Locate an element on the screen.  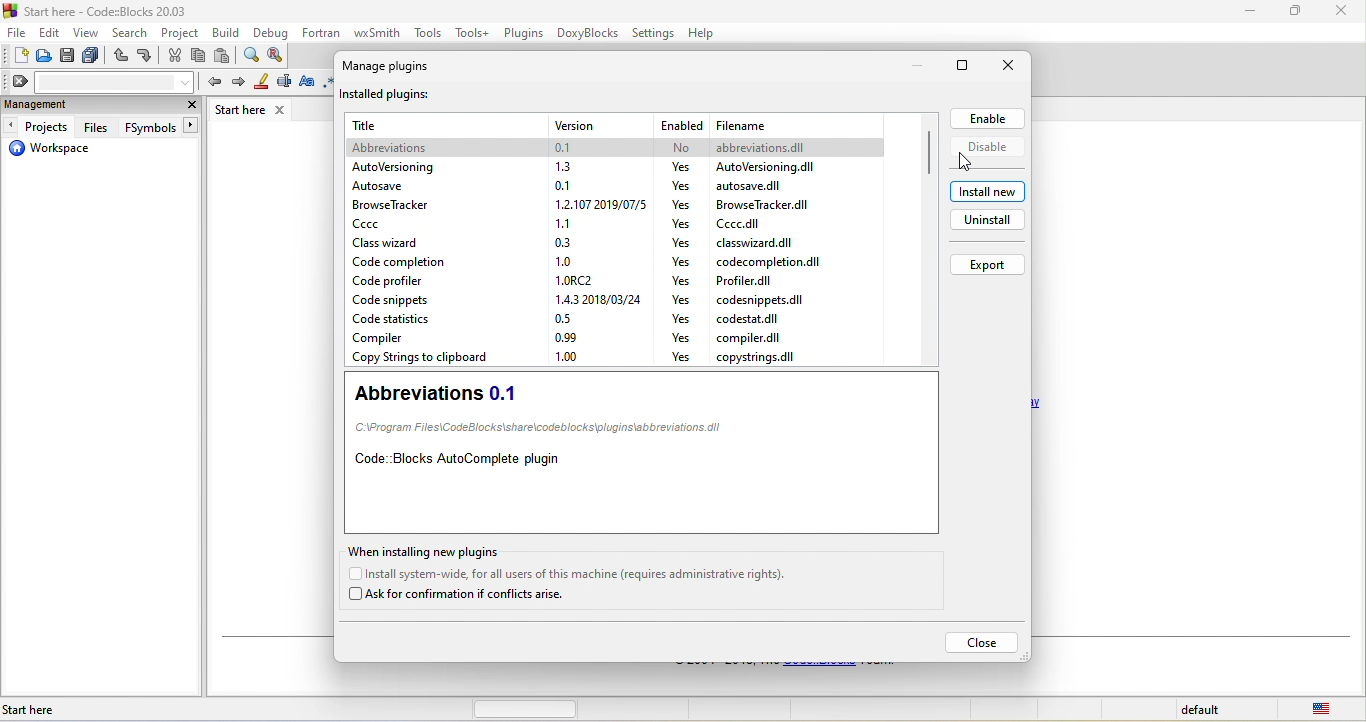
compiler is located at coordinates (425, 340).